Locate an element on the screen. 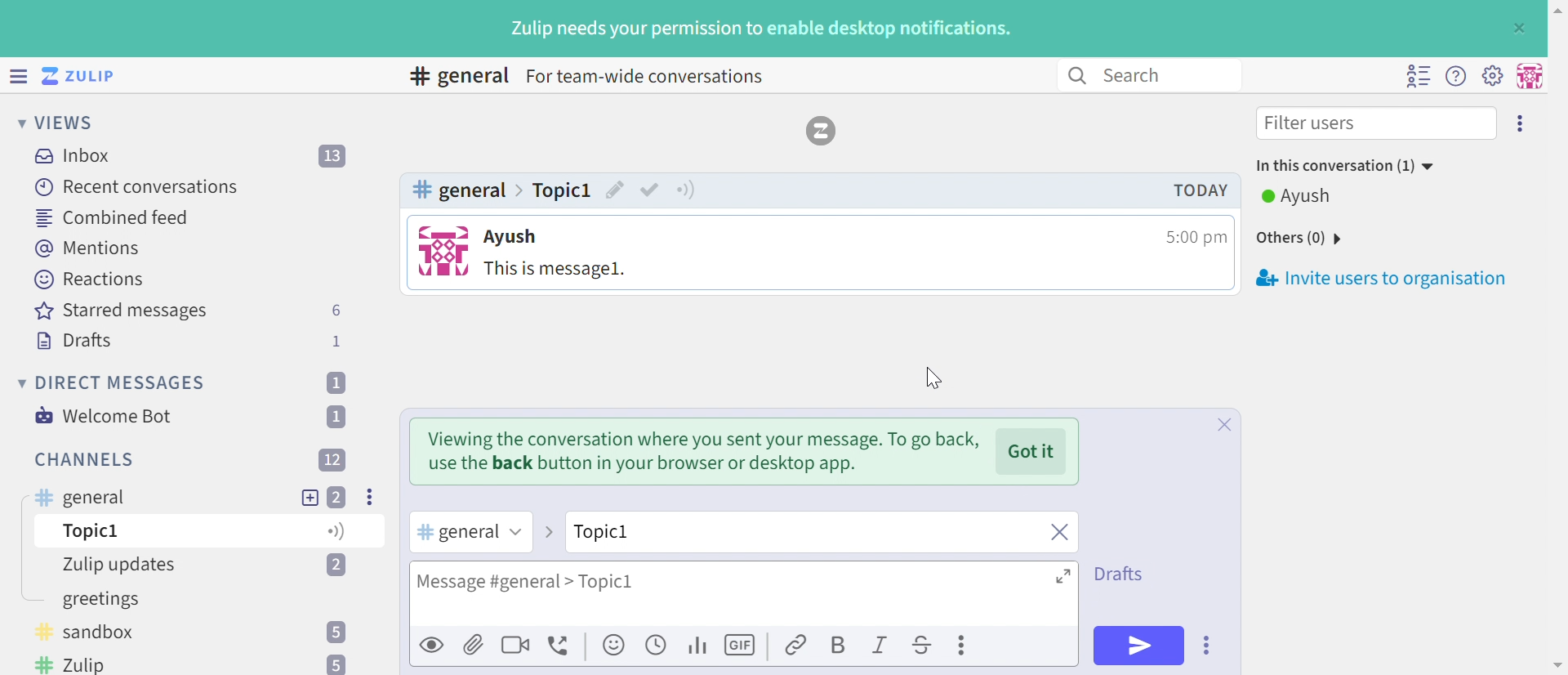 Image resolution: width=1568 pixels, height=675 pixels. Invite users to organisation is located at coordinates (1521, 122).